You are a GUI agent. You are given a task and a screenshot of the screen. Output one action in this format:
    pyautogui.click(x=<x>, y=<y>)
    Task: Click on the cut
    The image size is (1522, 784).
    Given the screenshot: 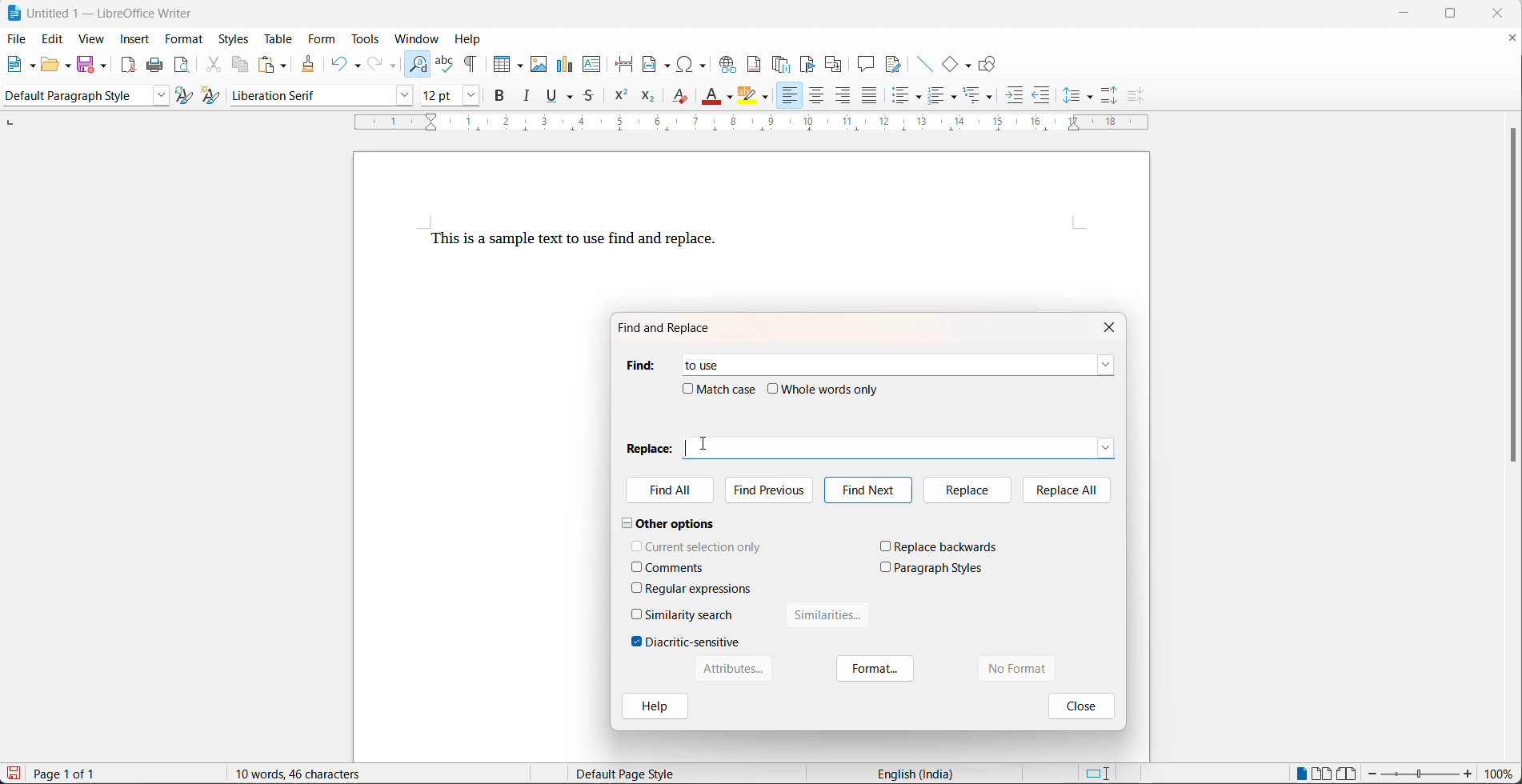 What is the action you would take?
    pyautogui.click(x=214, y=66)
    